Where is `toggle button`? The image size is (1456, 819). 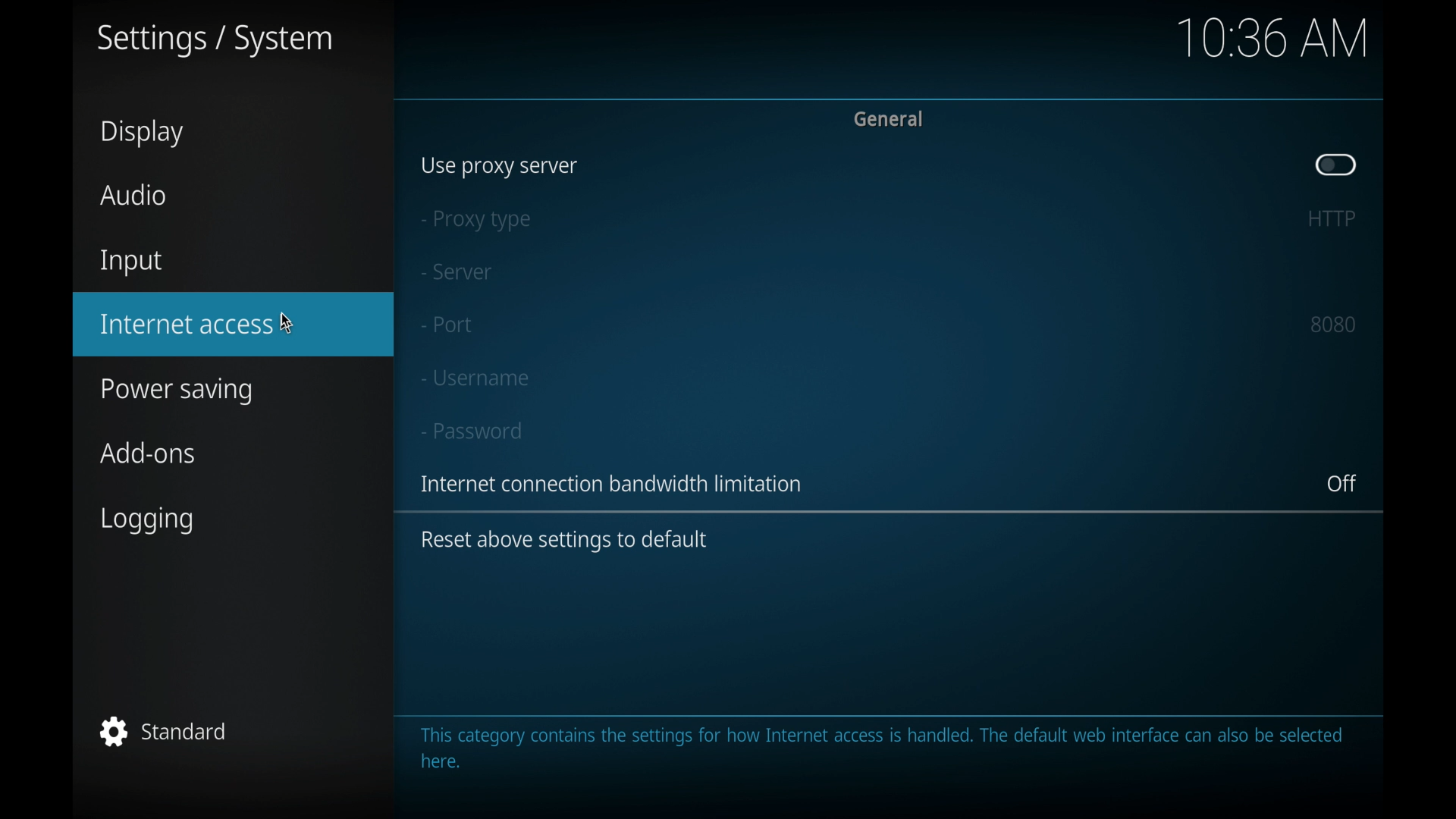 toggle button is located at coordinates (1336, 165).